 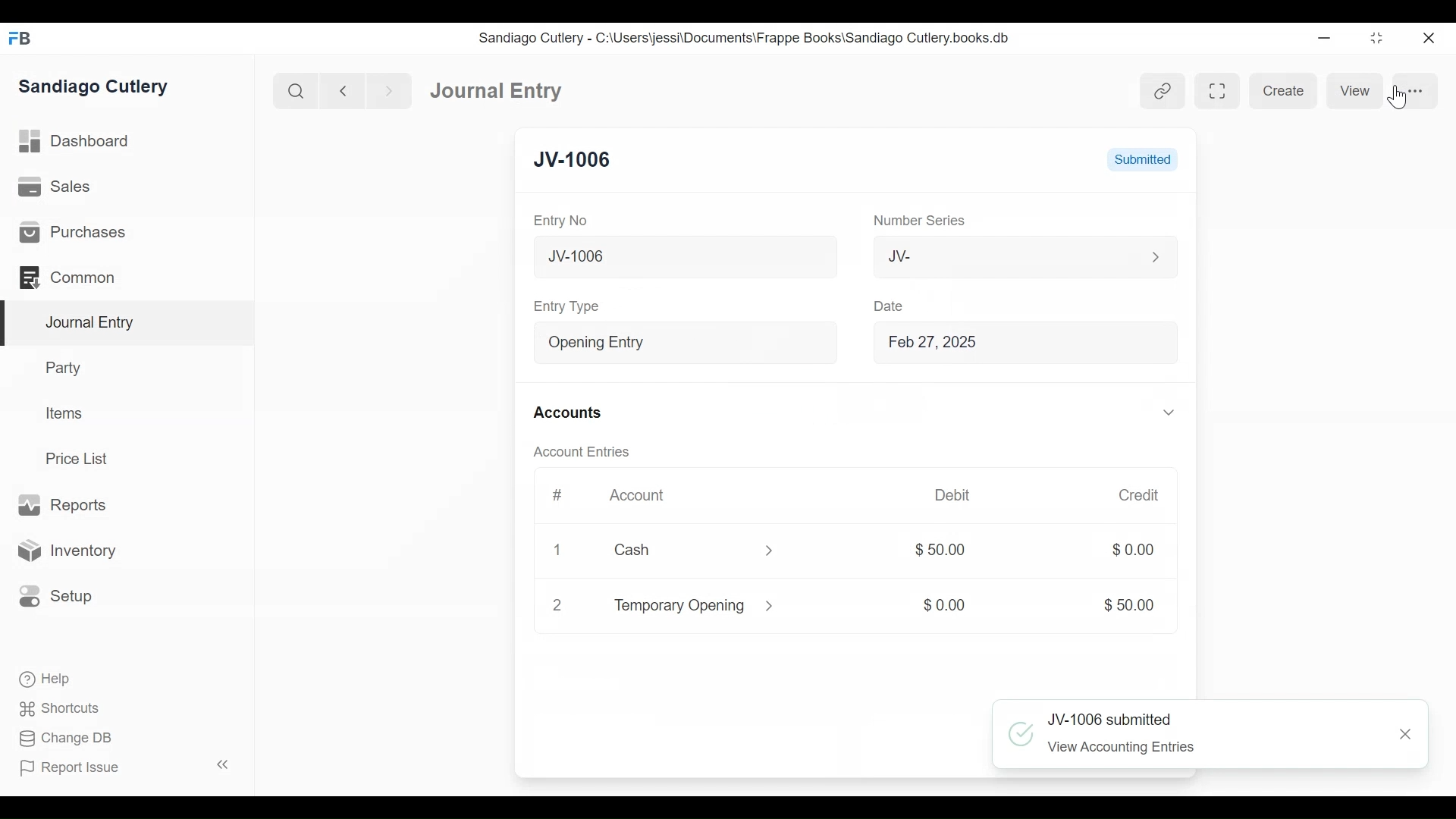 What do you see at coordinates (1122, 605) in the screenshot?
I see `$50.00` at bounding box center [1122, 605].